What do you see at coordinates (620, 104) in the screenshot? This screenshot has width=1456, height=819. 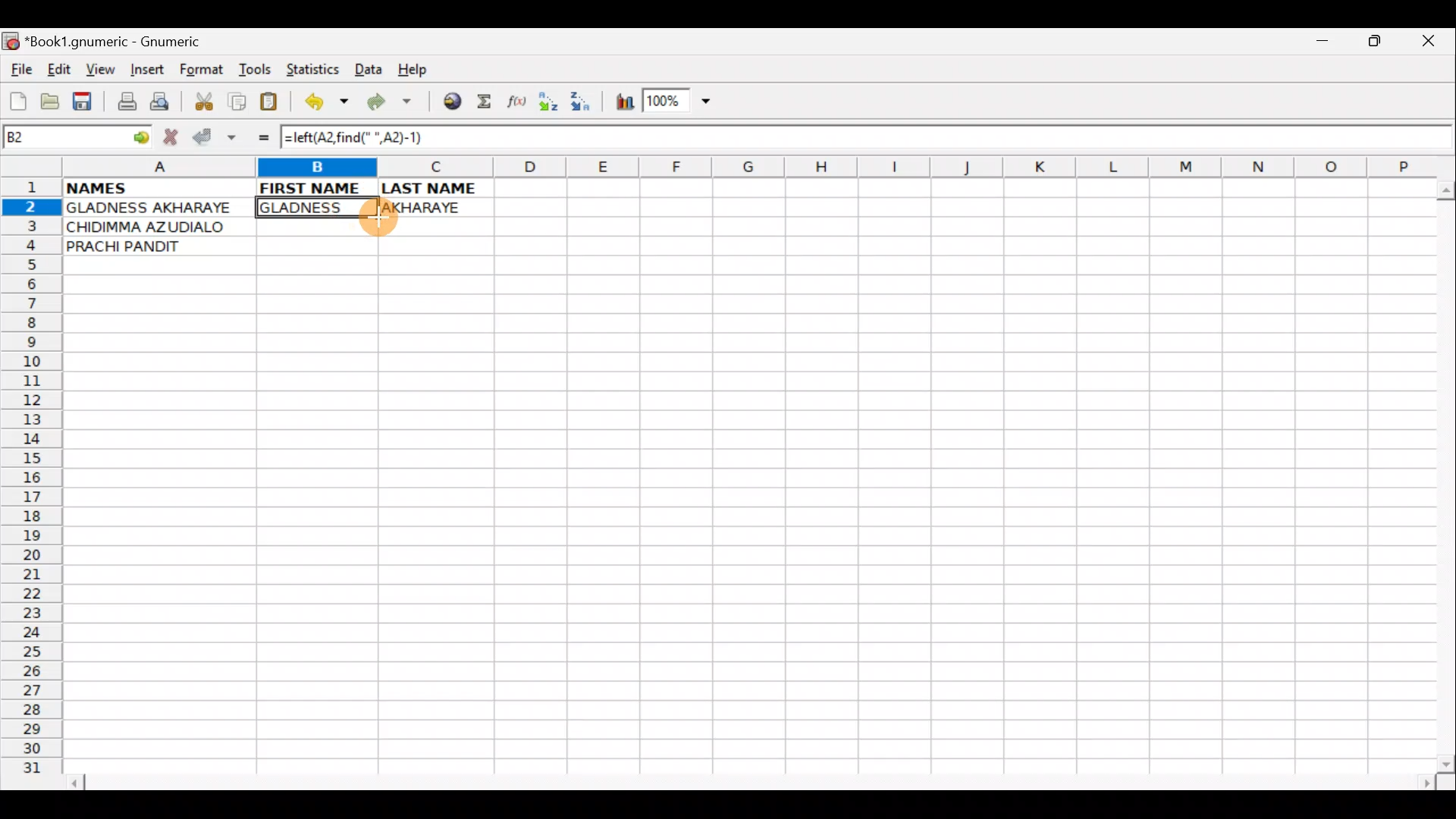 I see `Insert Chart` at bounding box center [620, 104].